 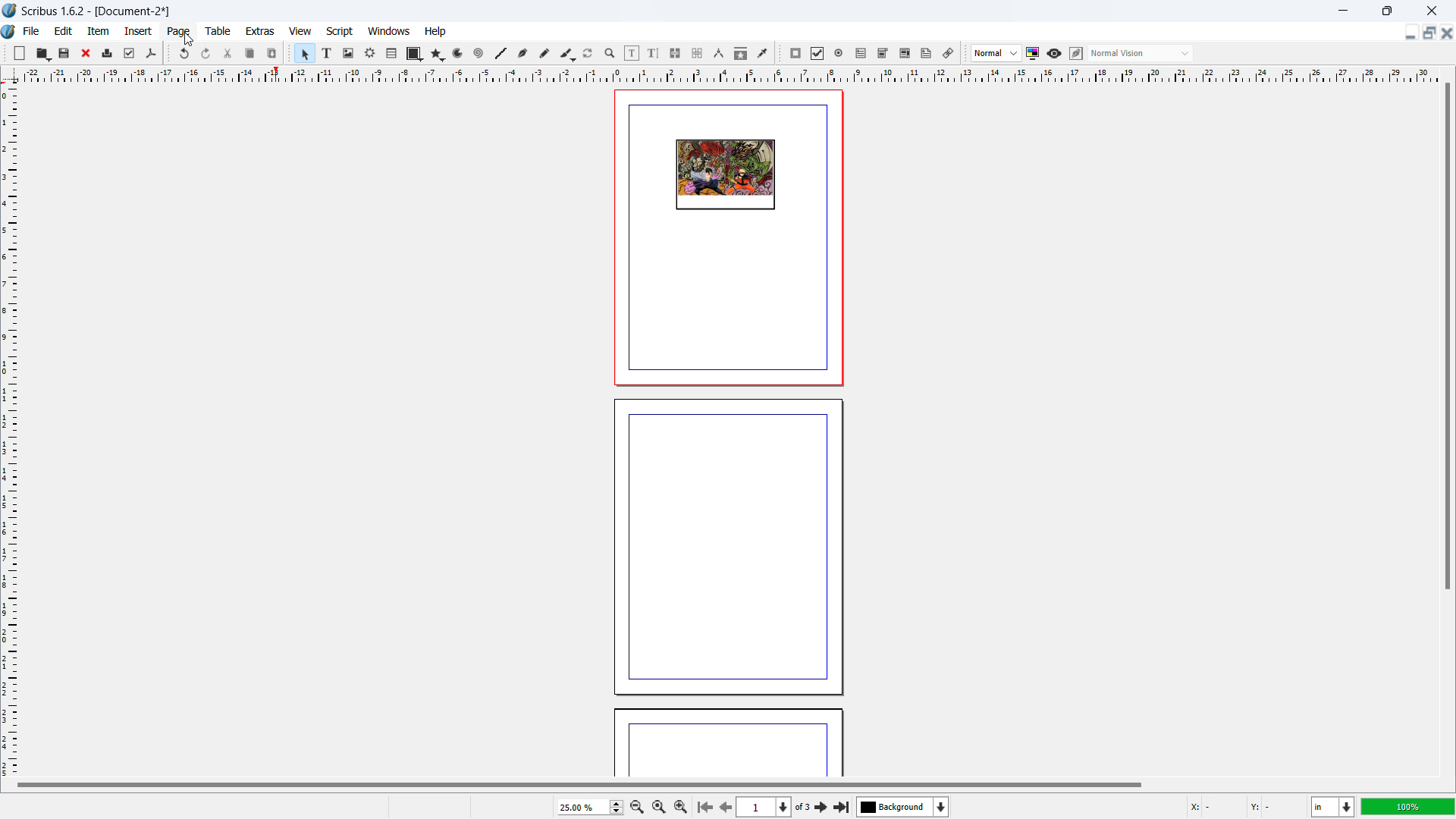 What do you see at coordinates (1408, 34) in the screenshot?
I see `minimize document` at bounding box center [1408, 34].